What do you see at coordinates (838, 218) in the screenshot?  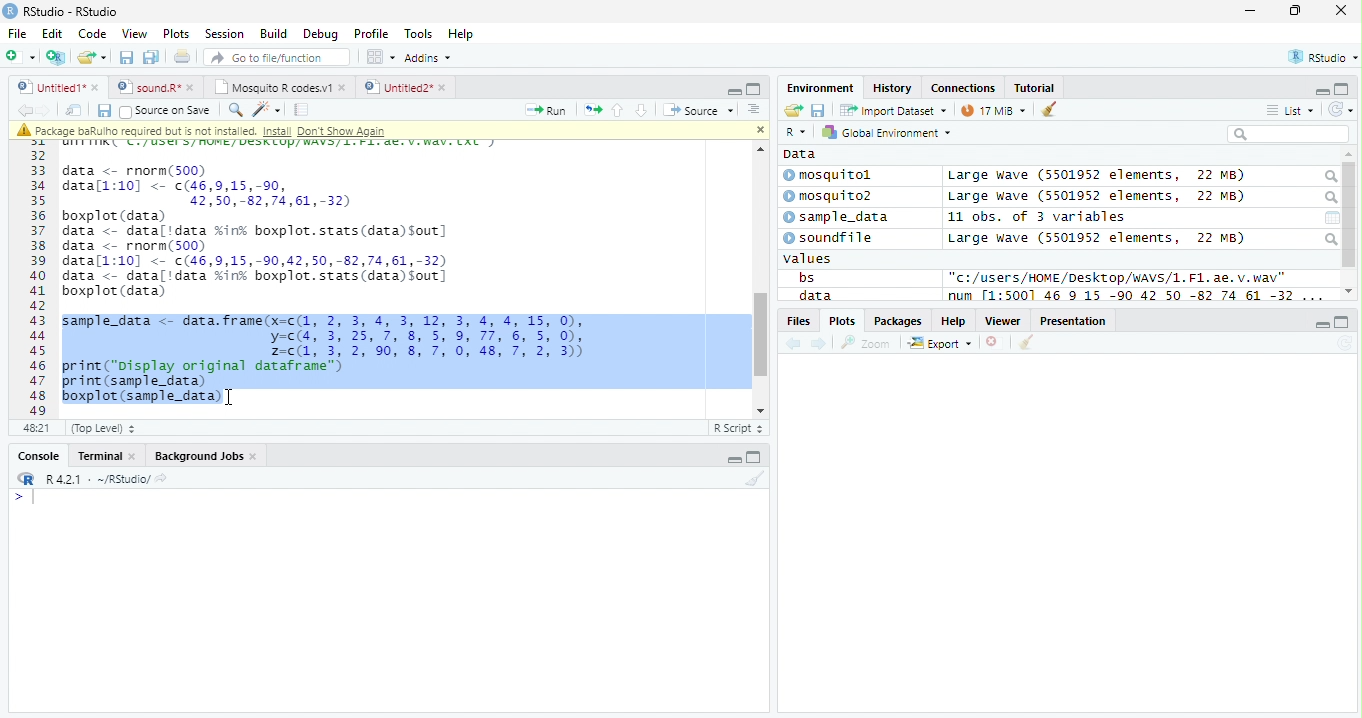 I see `sample_data` at bounding box center [838, 218].